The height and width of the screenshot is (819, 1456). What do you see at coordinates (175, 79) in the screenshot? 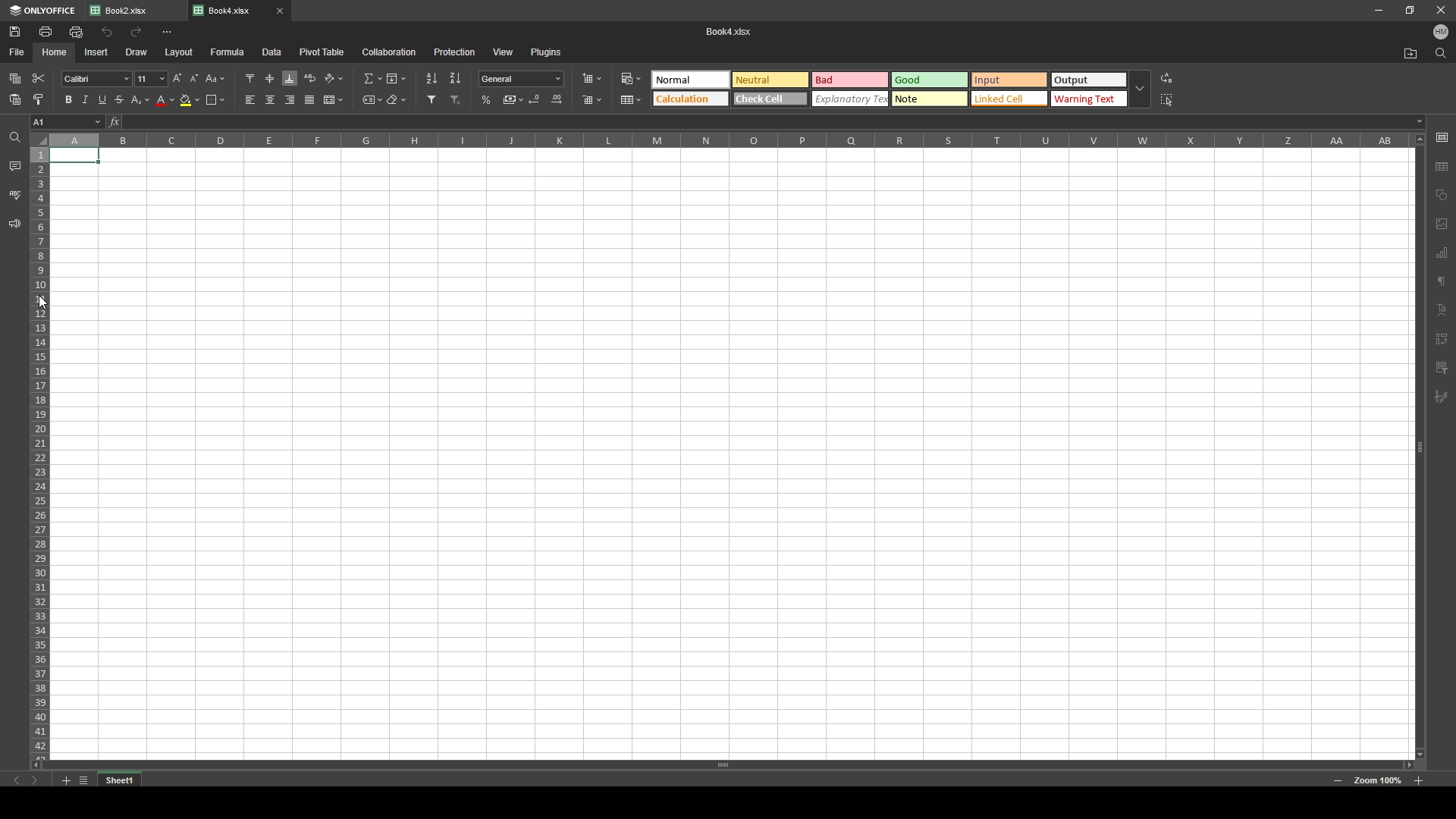
I see `increment case` at bounding box center [175, 79].